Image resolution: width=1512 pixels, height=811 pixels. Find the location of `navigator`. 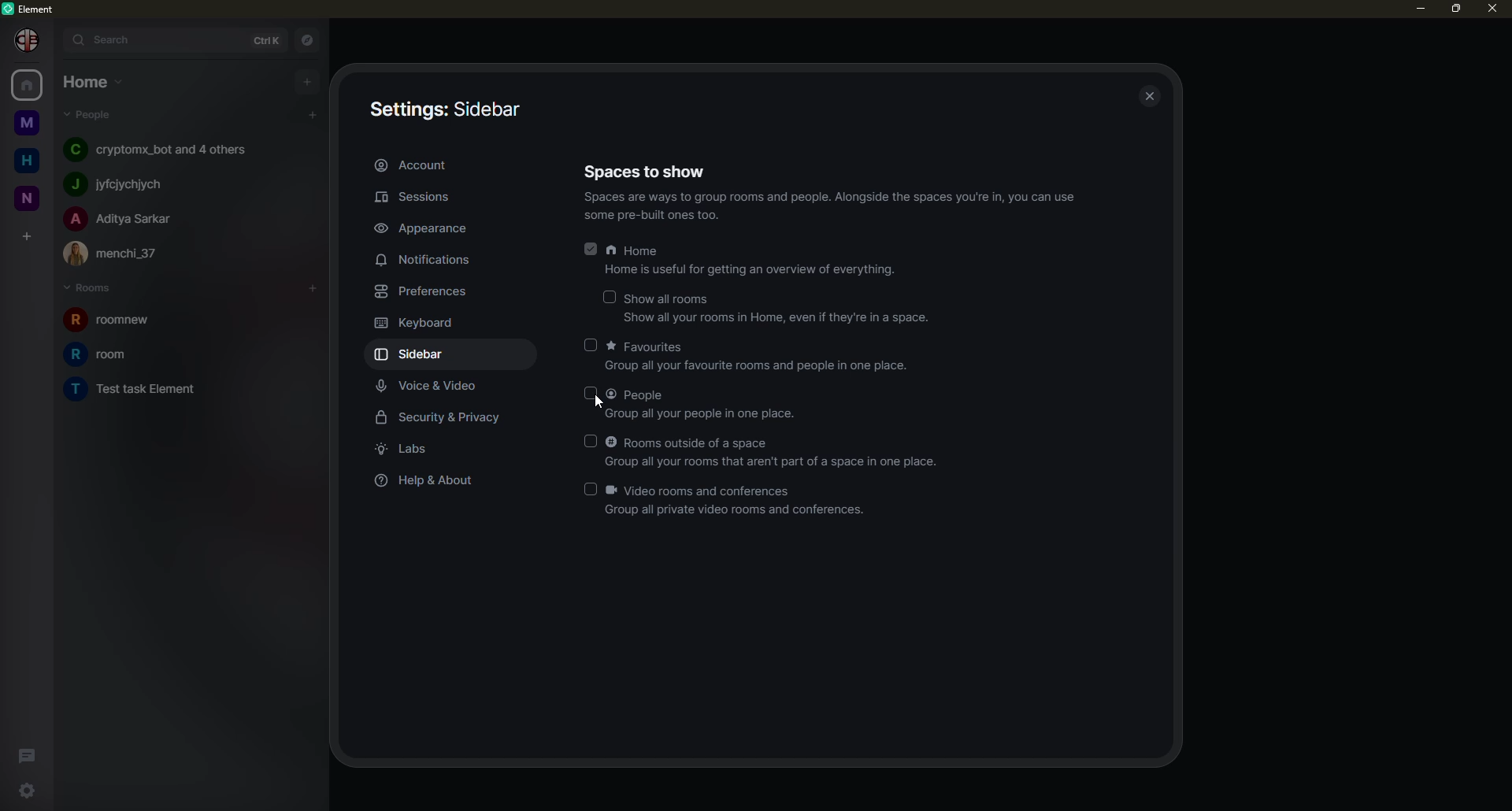

navigator is located at coordinates (306, 38).